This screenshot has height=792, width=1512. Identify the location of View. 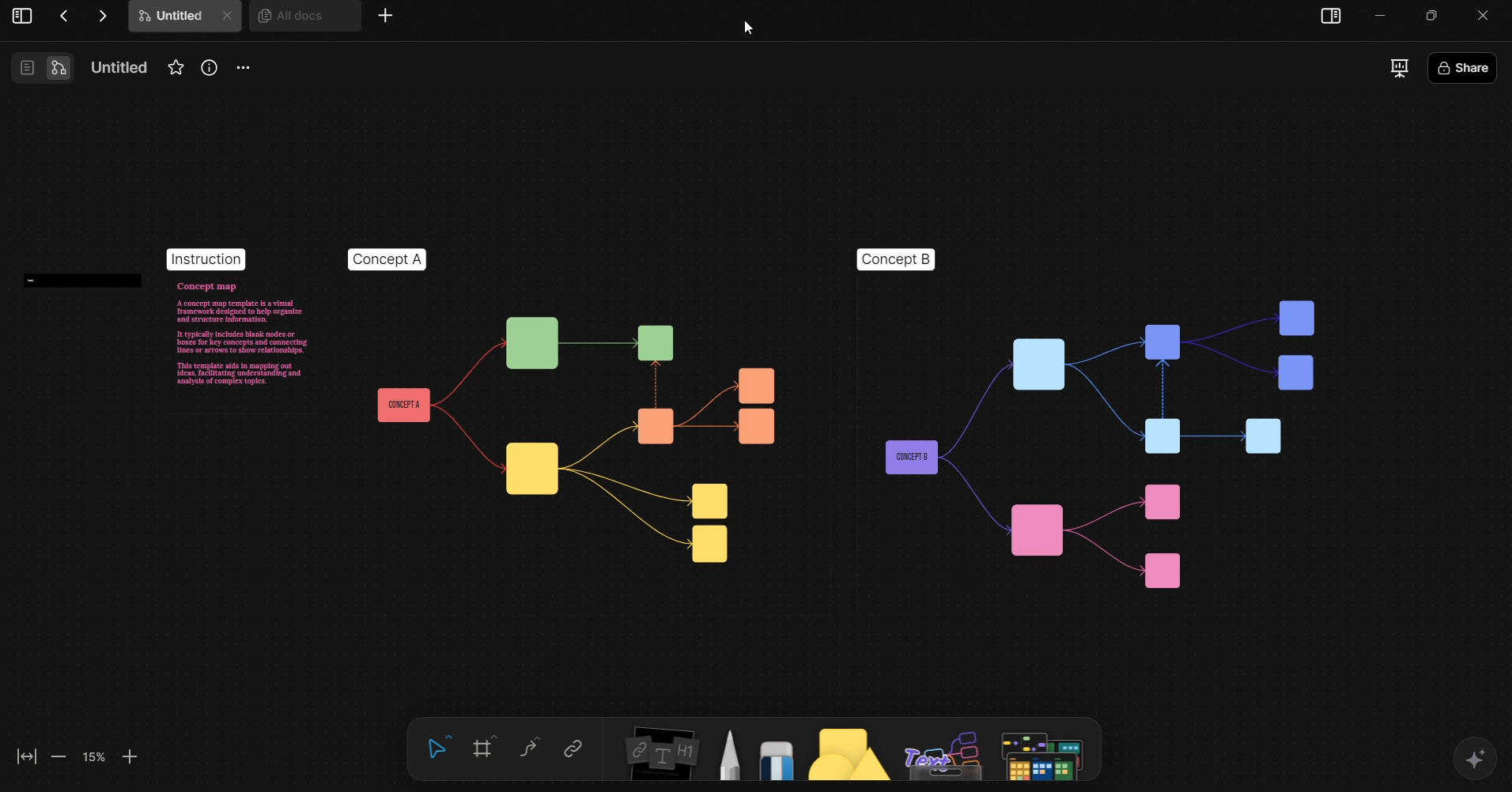
(21, 18).